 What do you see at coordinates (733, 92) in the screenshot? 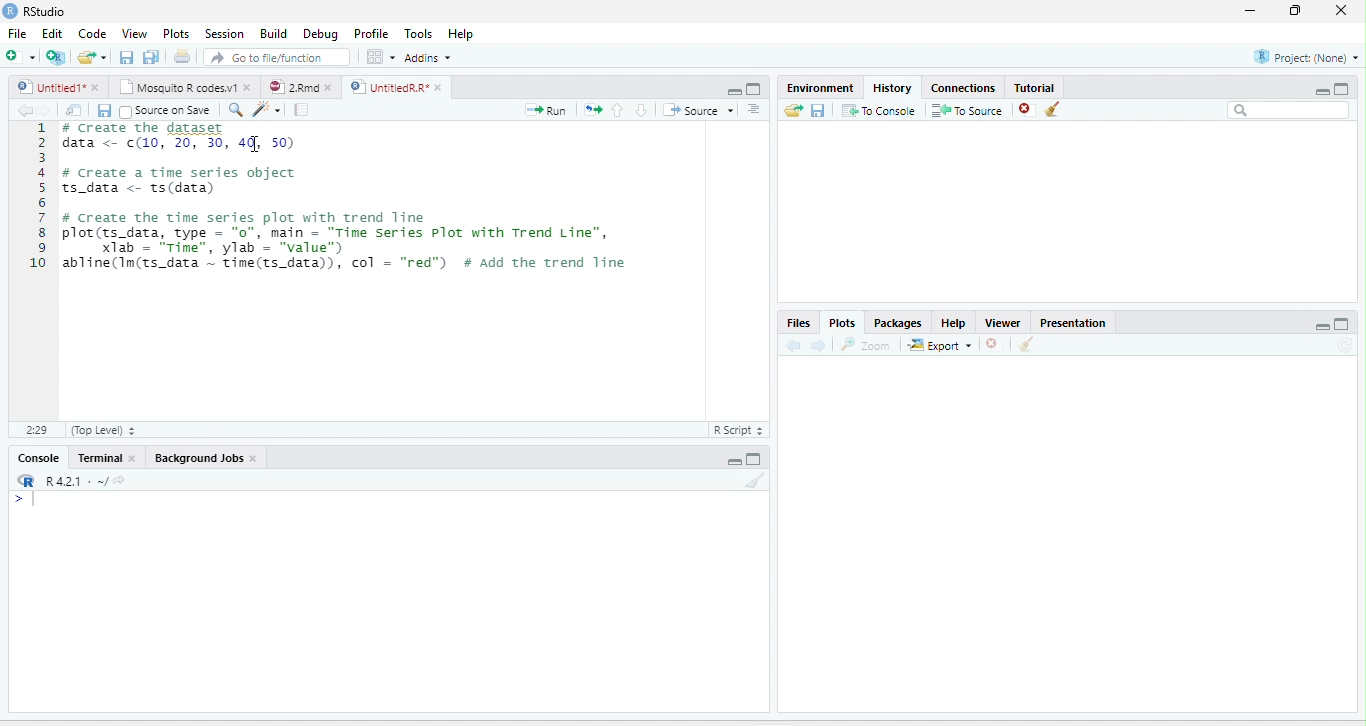
I see `Minimize` at bounding box center [733, 92].